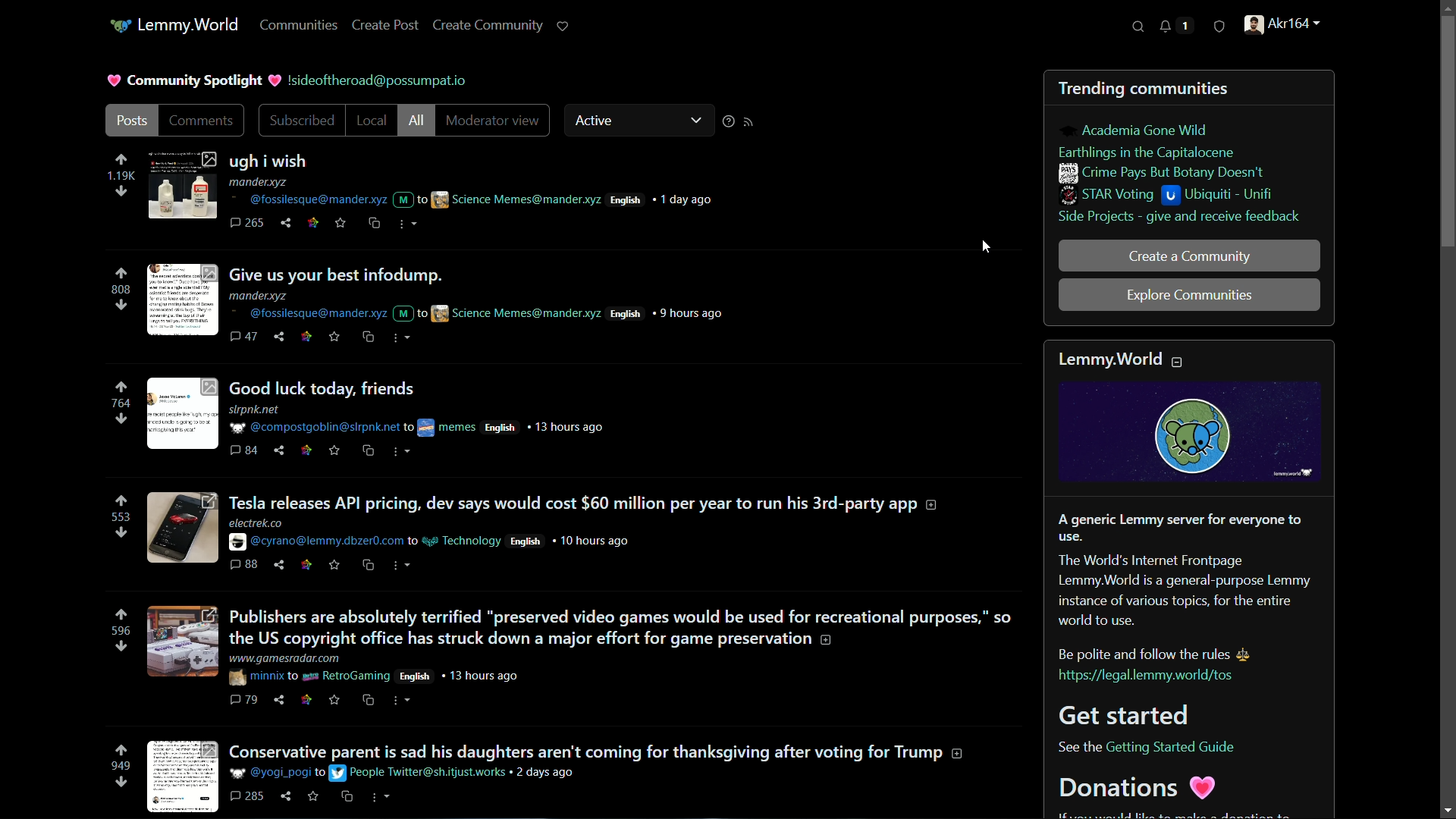 The height and width of the screenshot is (819, 1456). I want to click on M to, so click(410, 313).